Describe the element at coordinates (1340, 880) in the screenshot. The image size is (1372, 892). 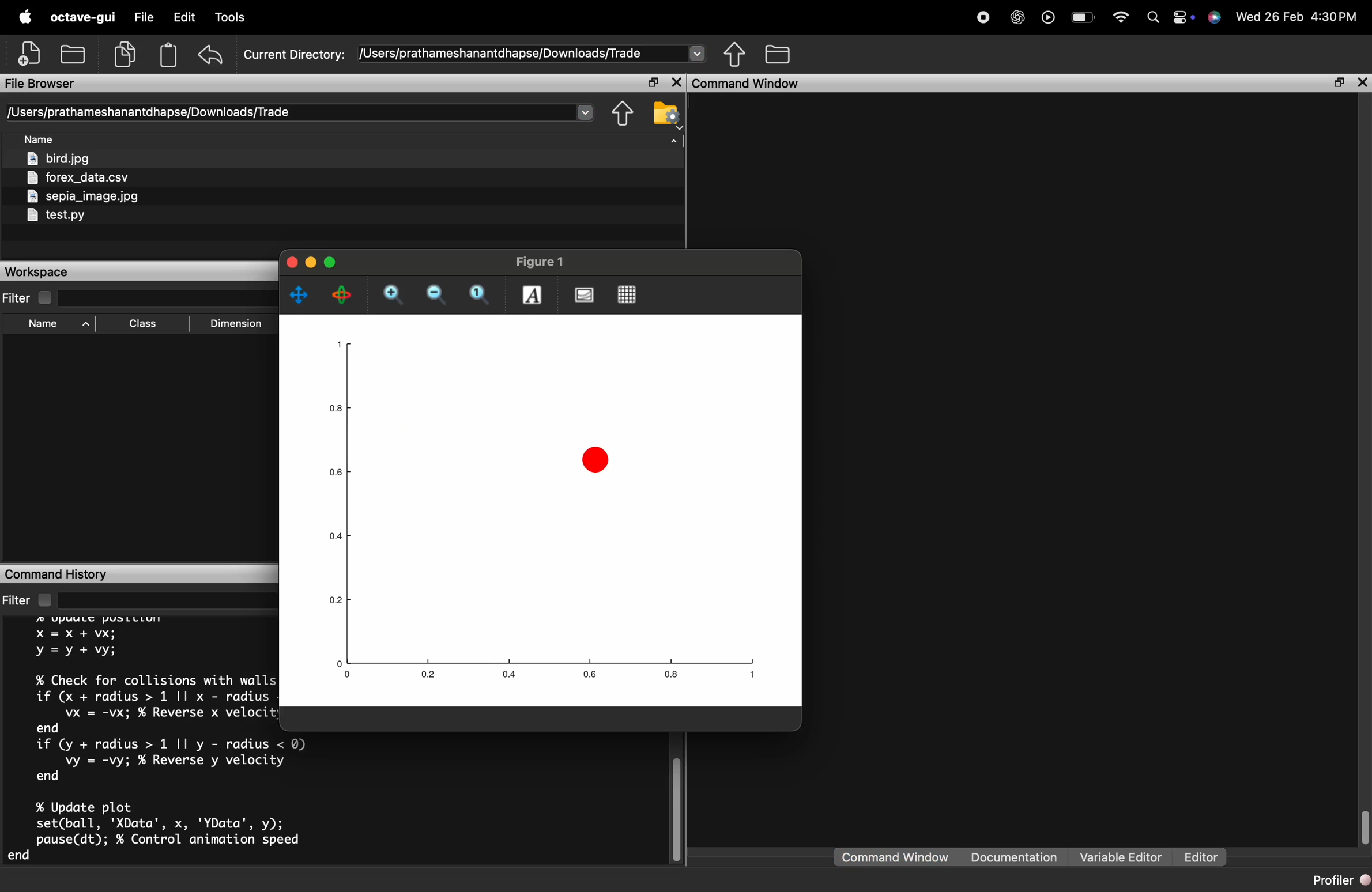
I see `Profiler` at that location.